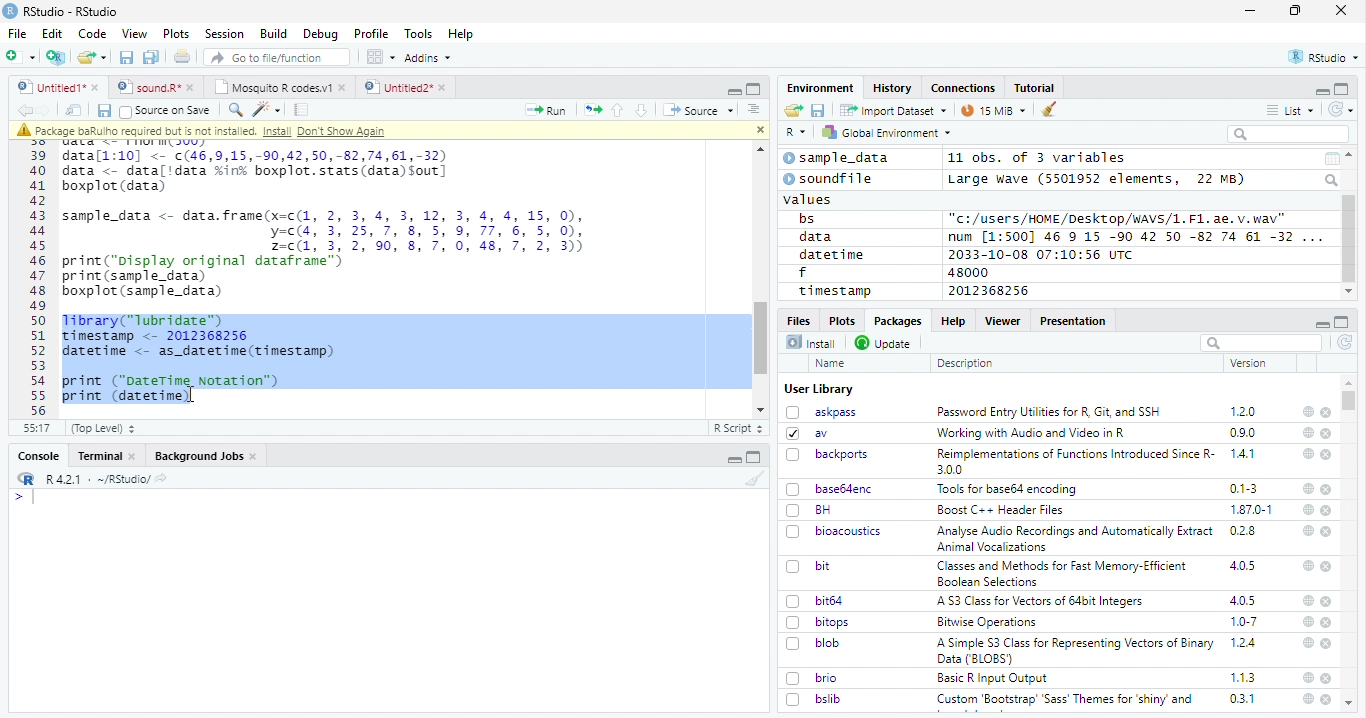 The height and width of the screenshot is (718, 1366). What do you see at coordinates (1350, 239) in the screenshot?
I see `Scroll bar` at bounding box center [1350, 239].